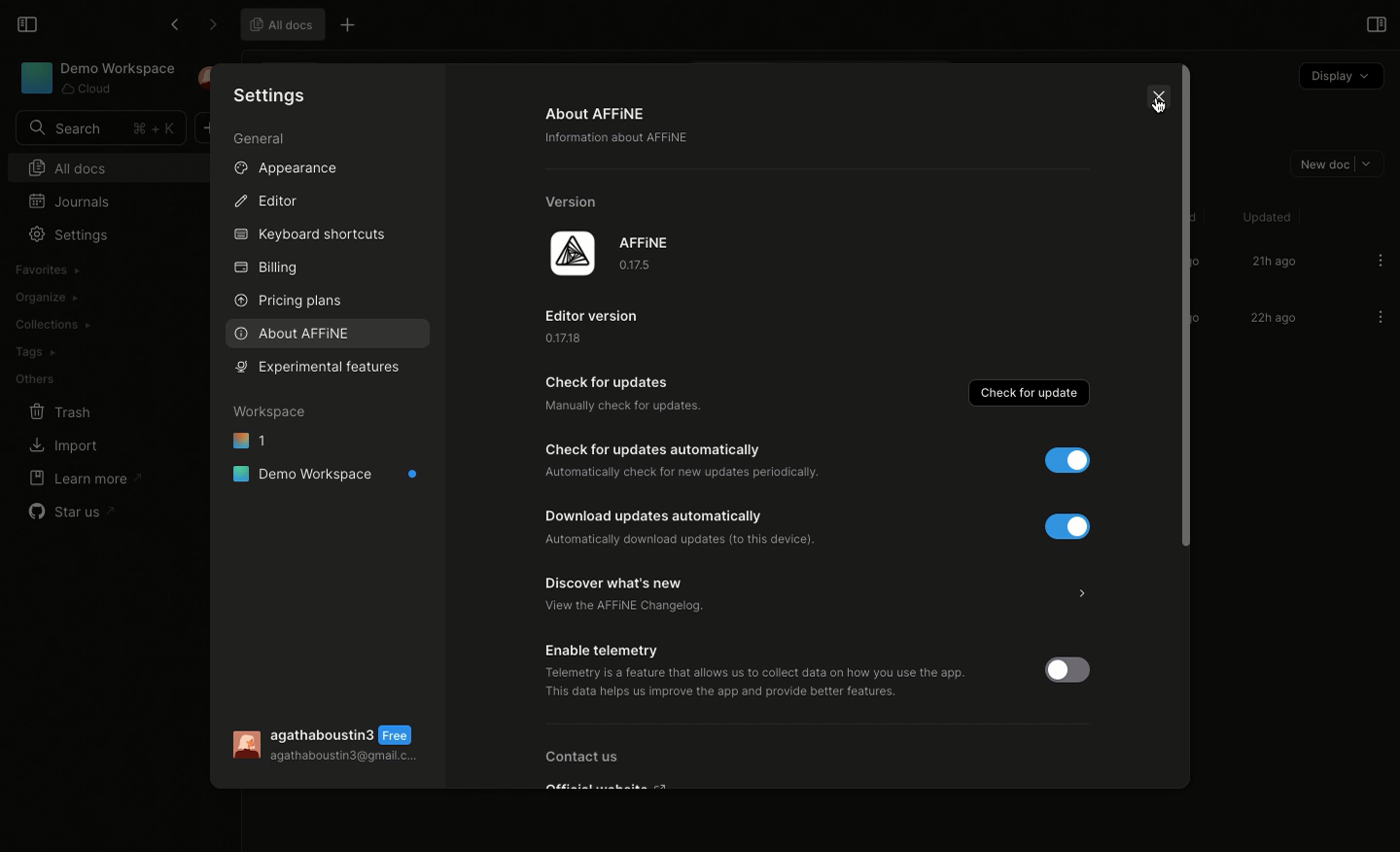  What do you see at coordinates (279, 23) in the screenshot?
I see `All docs` at bounding box center [279, 23].